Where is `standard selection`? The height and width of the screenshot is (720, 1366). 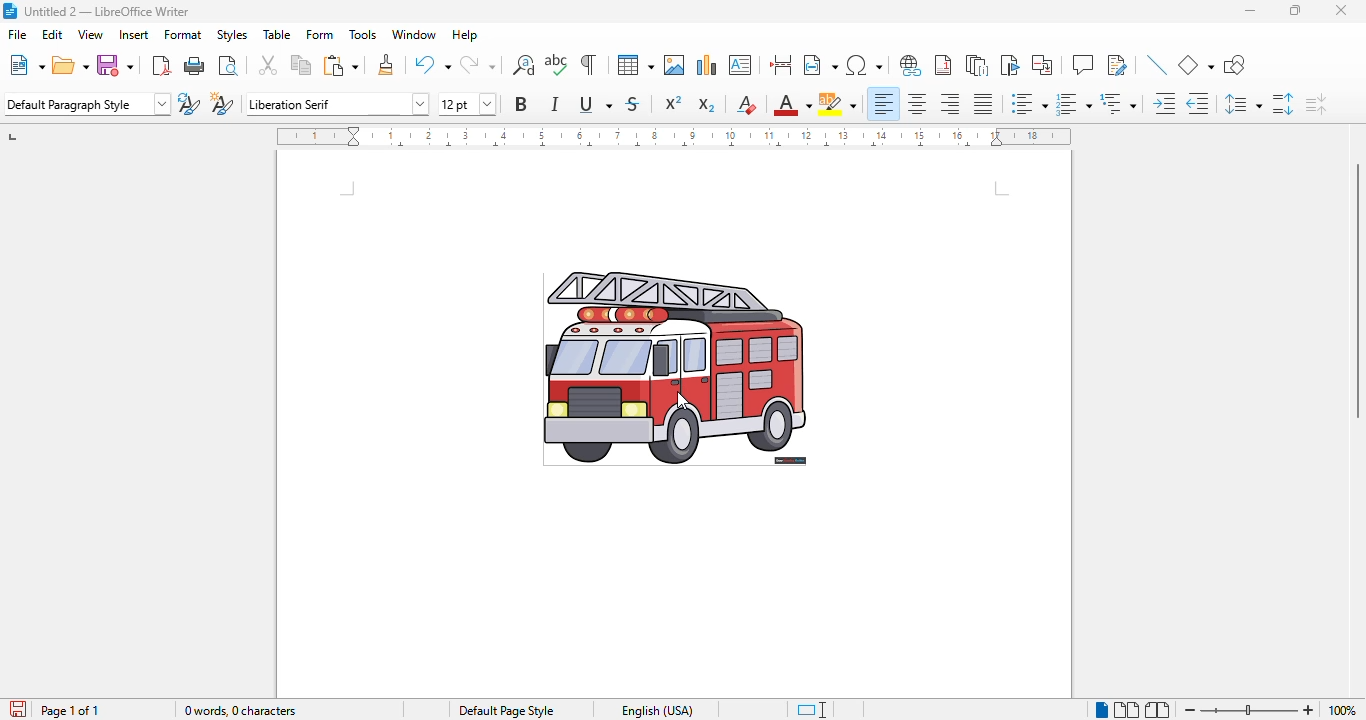
standard selection is located at coordinates (812, 710).